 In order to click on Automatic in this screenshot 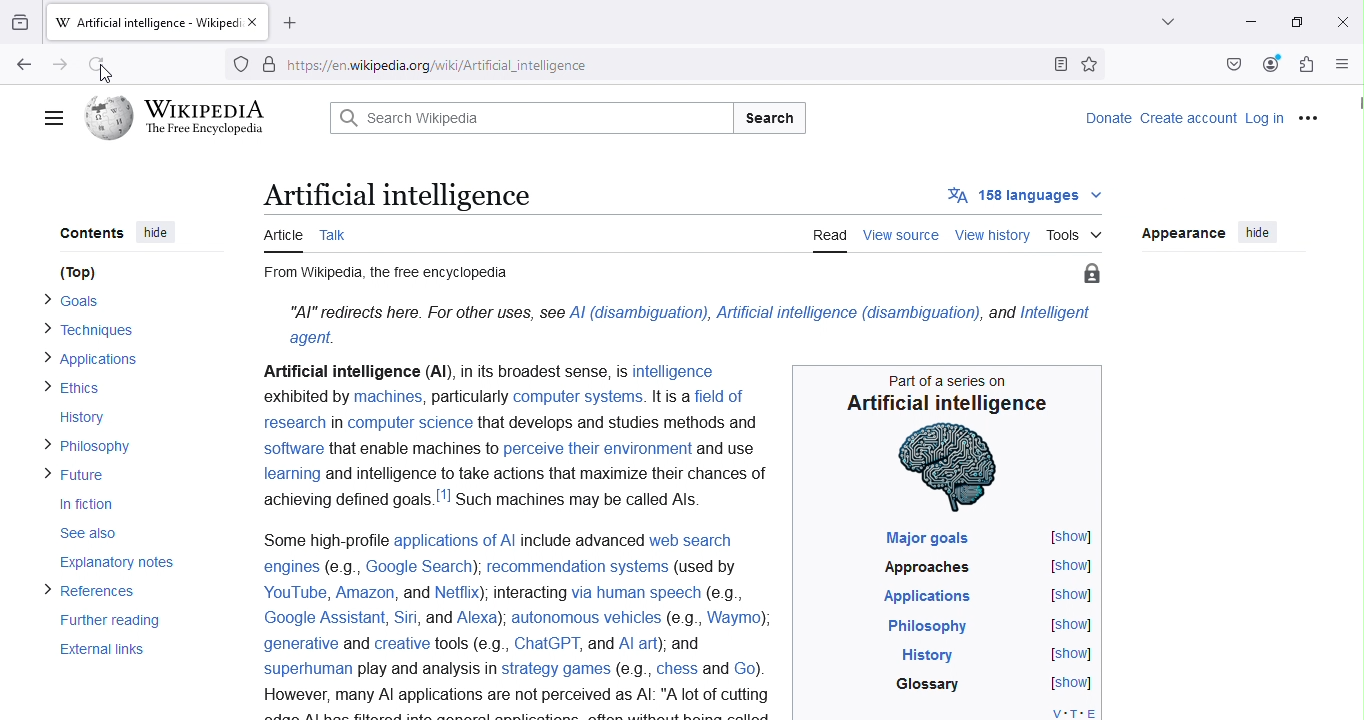, I will do `click(1190, 557)`.